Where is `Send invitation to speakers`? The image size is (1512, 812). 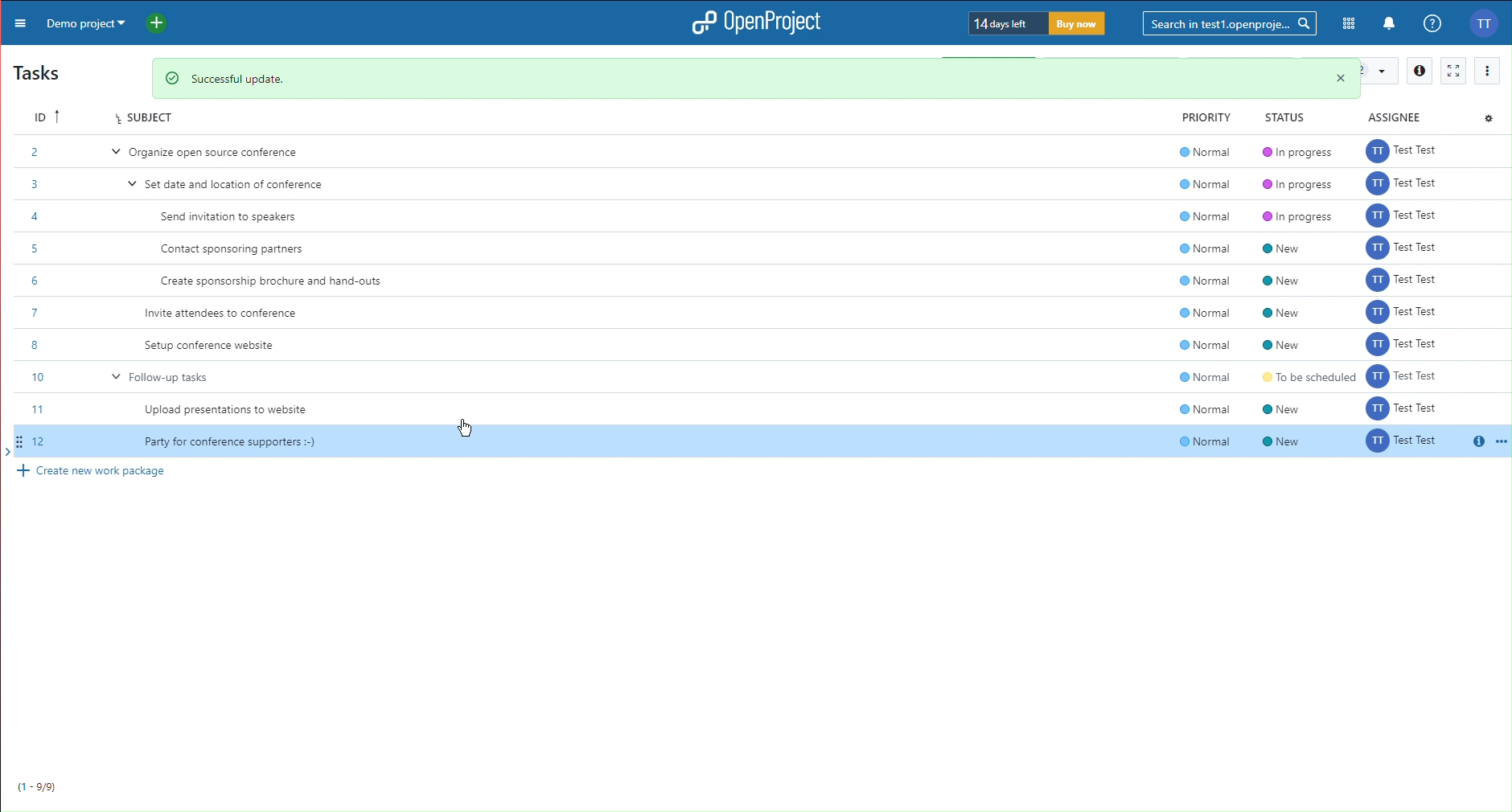
Send invitation to speakers is located at coordinates (229, 217).